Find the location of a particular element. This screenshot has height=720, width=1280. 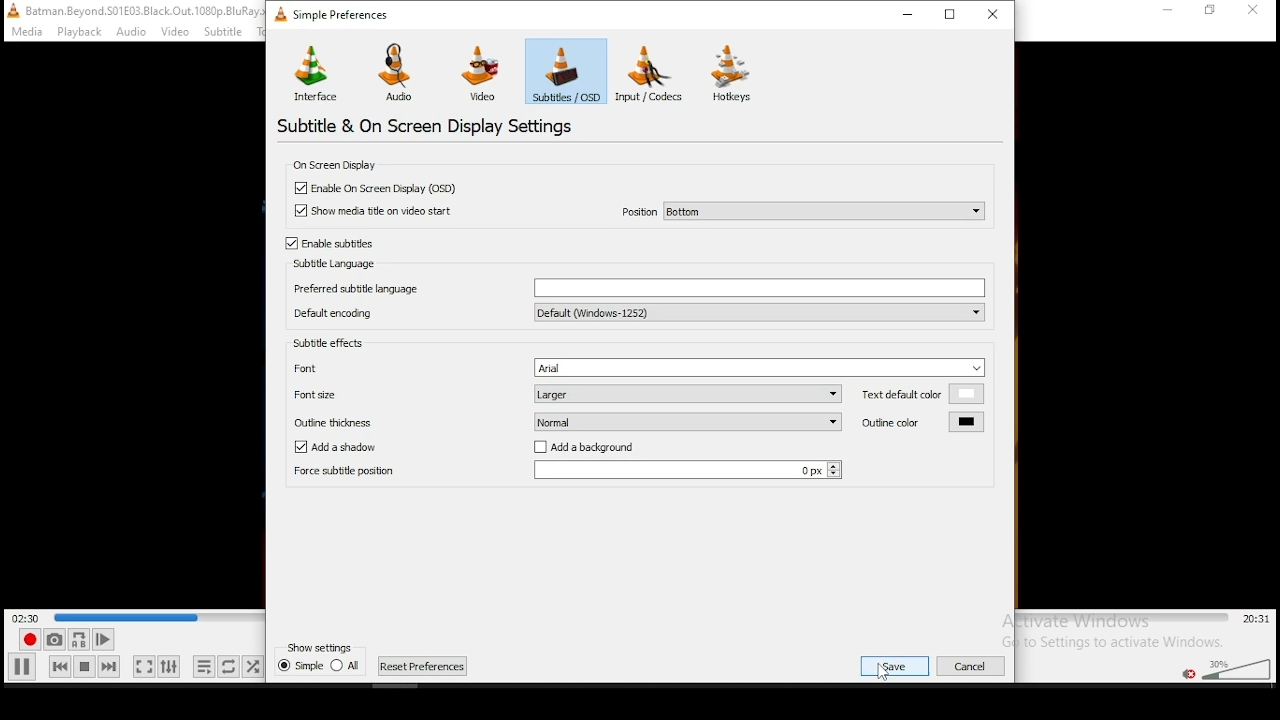

toggle between loop all, loop one, and no loop is located at coordinates (228, 666).